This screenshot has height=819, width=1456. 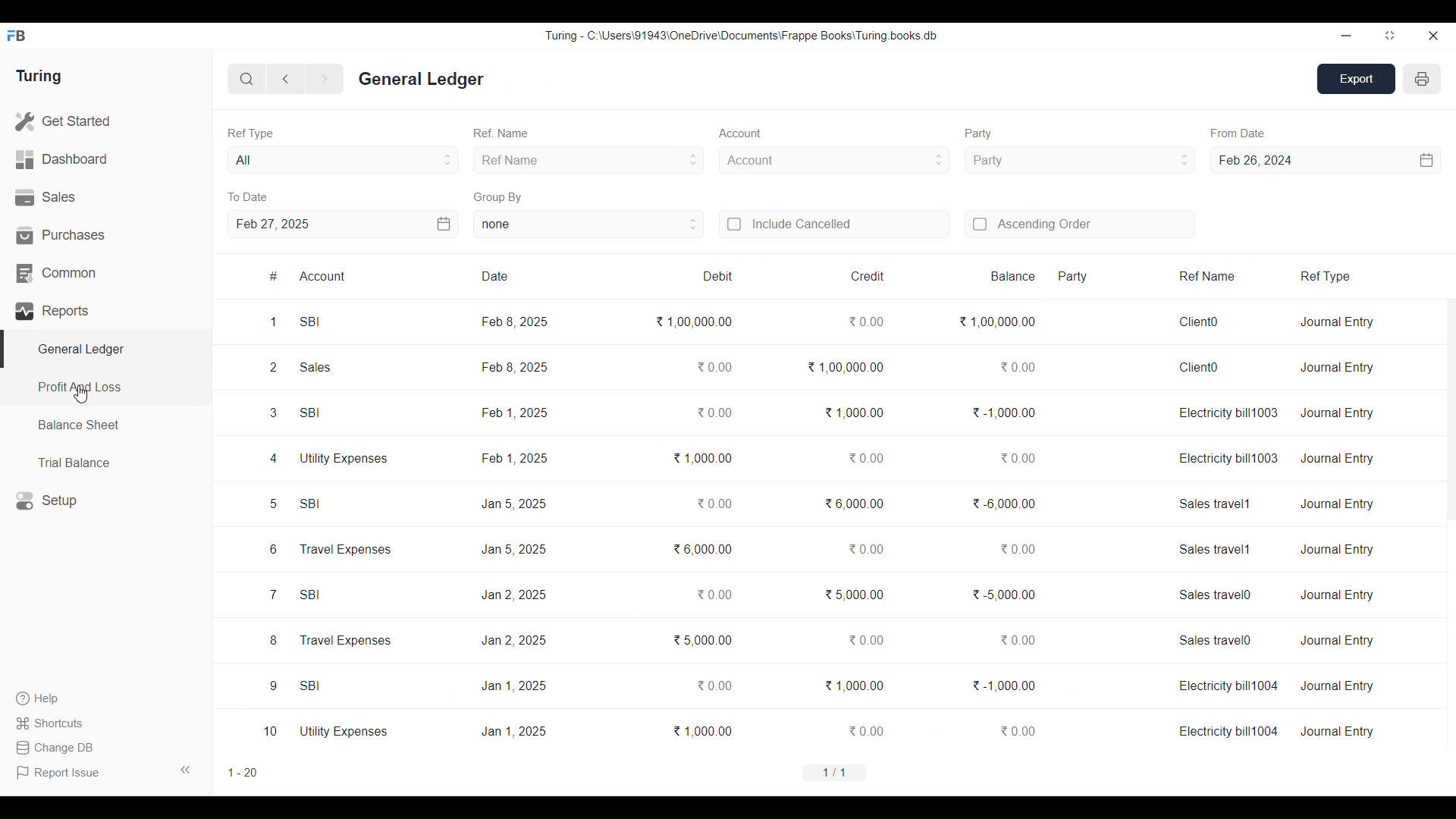 I want to click on Group By, so click(x=499, y=197).